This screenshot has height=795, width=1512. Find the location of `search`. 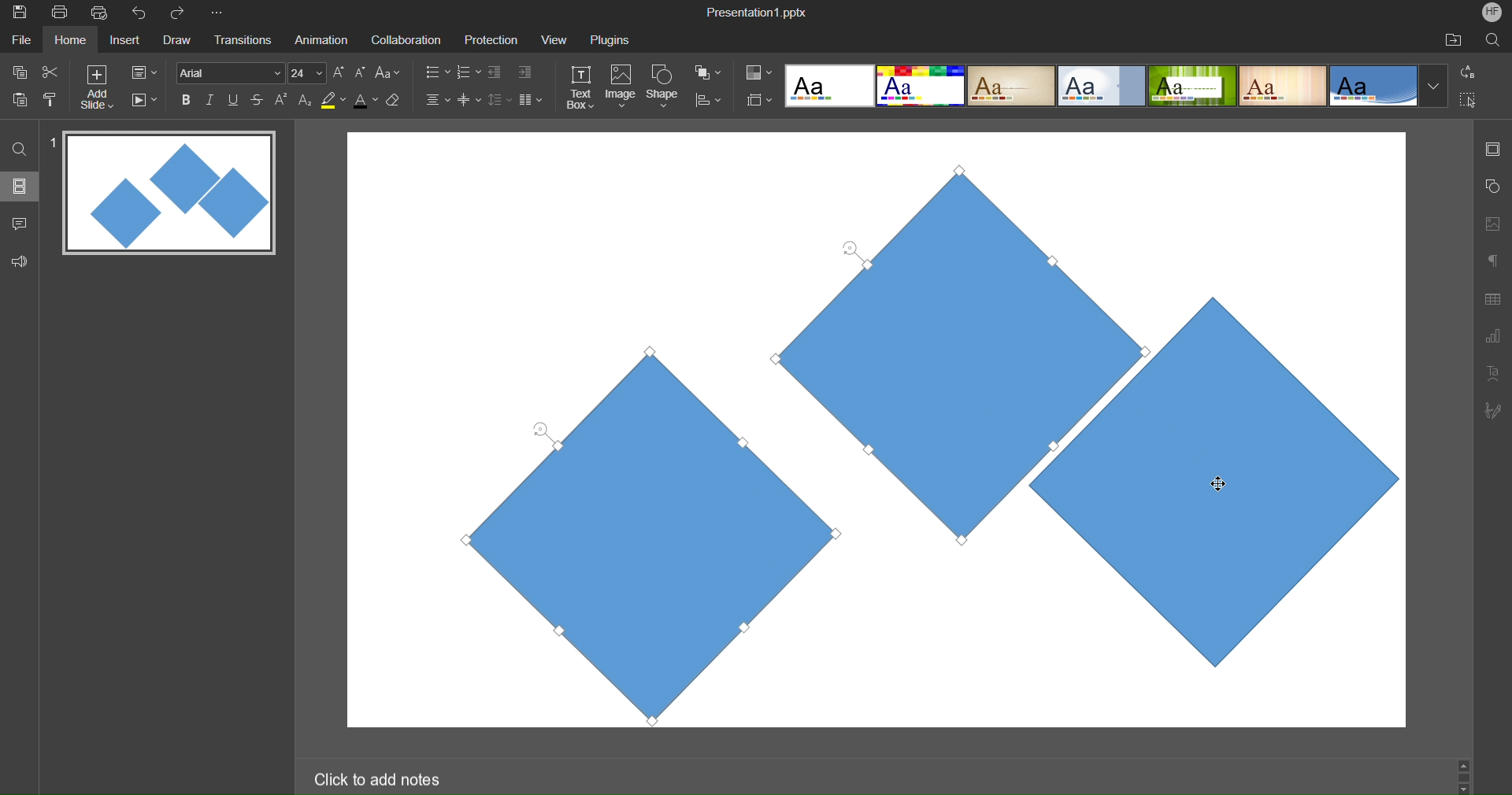

search is located at coordinates (20, 148).